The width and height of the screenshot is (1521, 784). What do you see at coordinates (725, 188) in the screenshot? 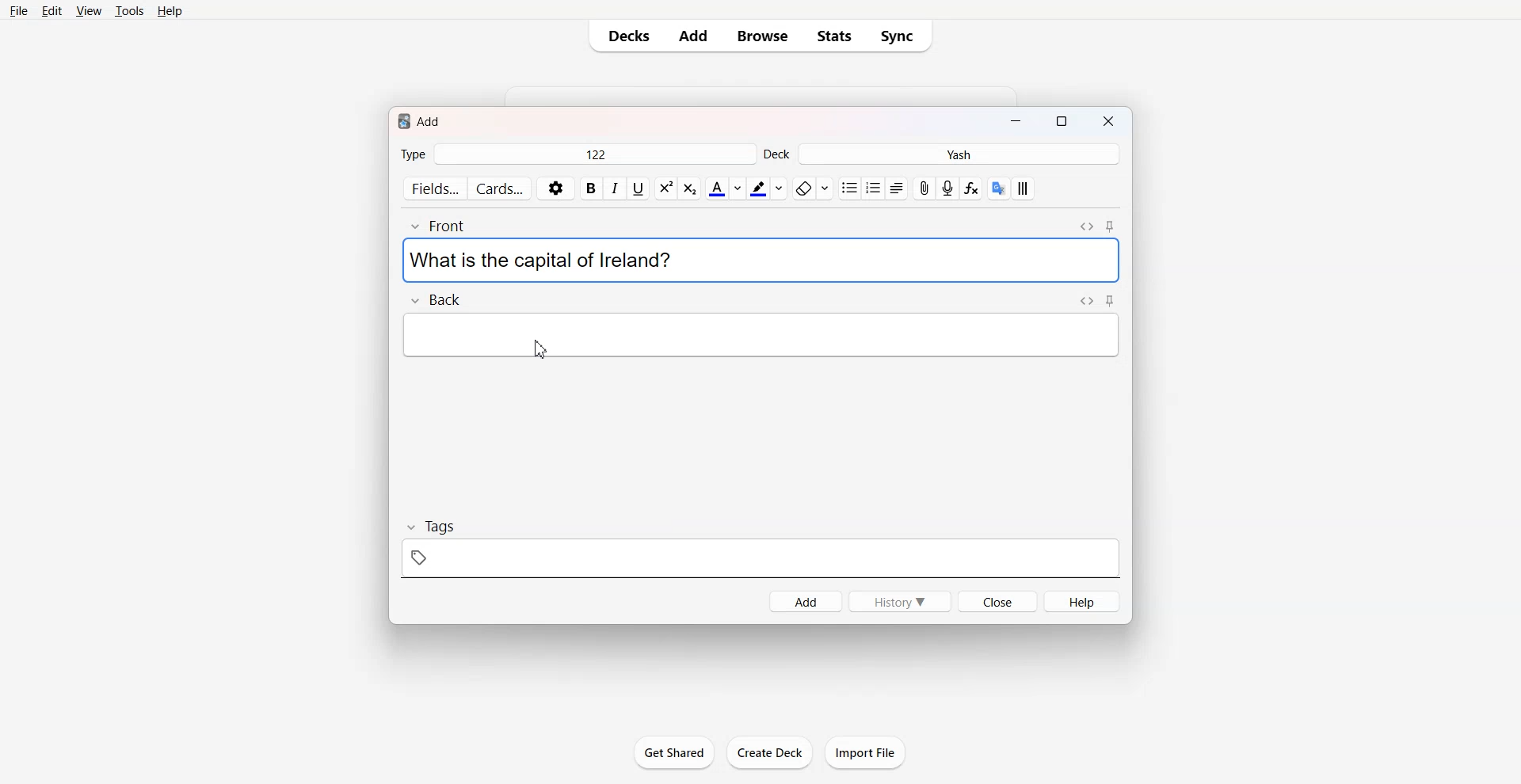
I see `Text Color` at bounding box center [725, 188].